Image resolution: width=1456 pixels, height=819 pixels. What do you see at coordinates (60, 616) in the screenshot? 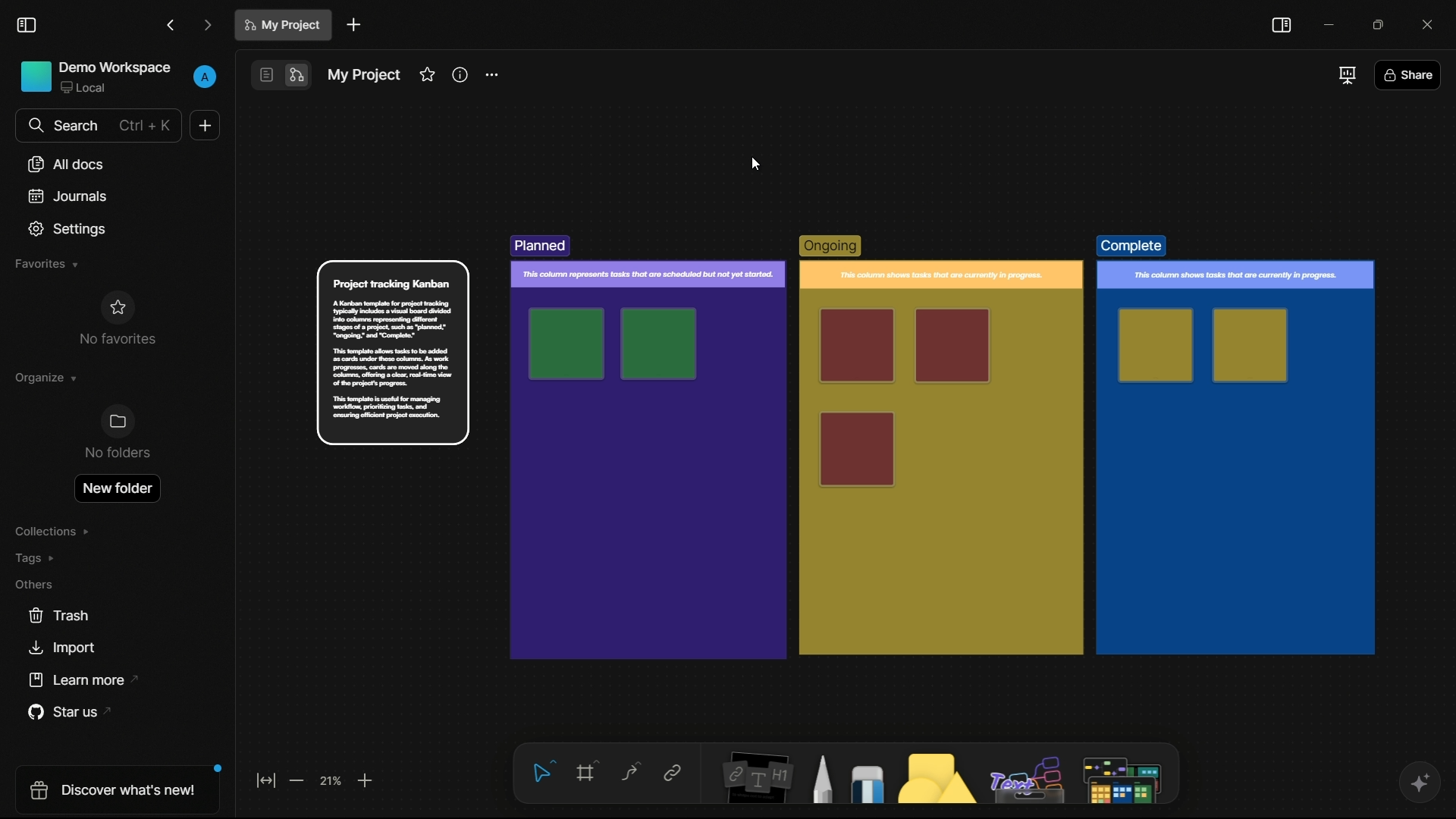
I see `trash` at bounding box center [60, 616].